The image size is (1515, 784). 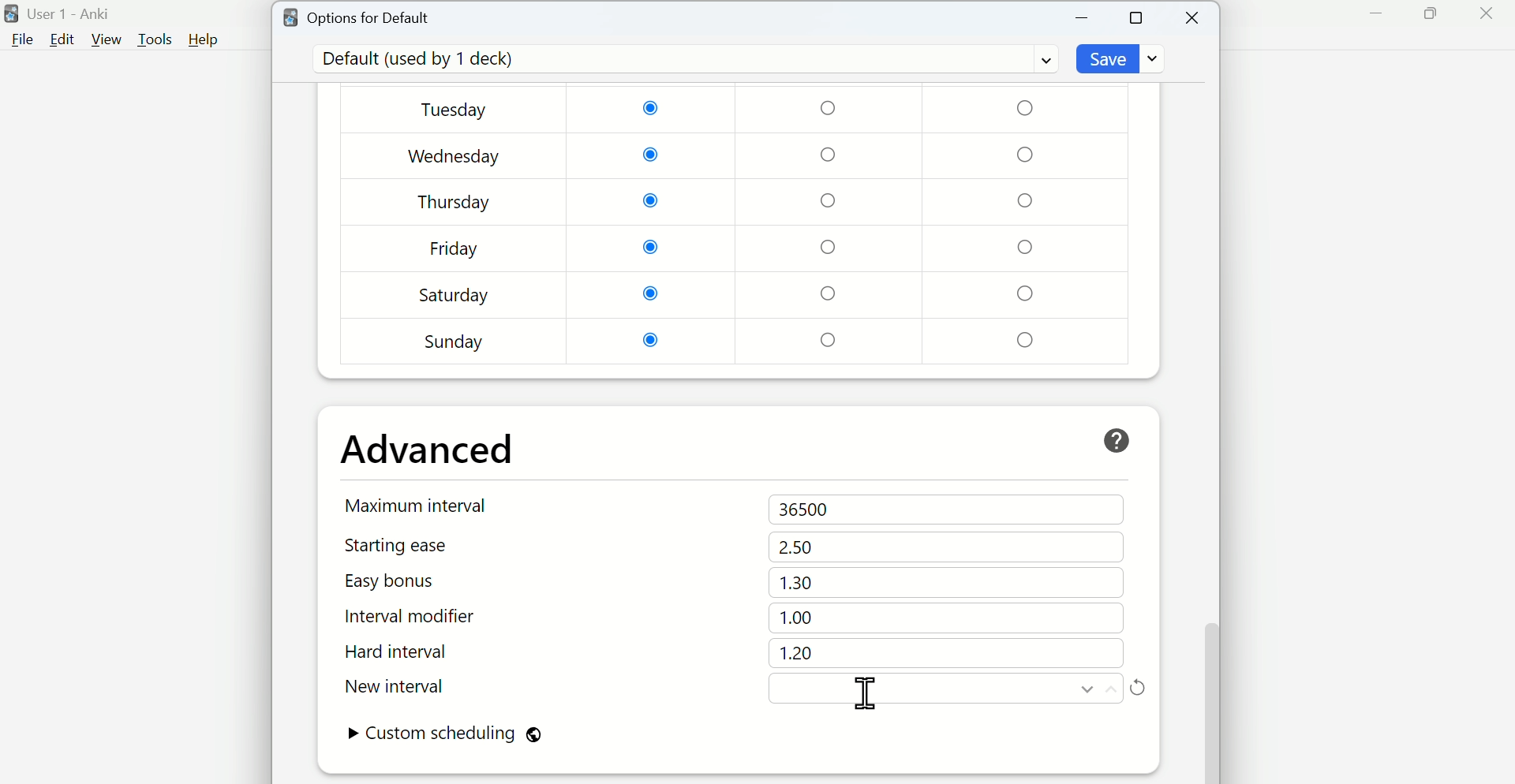 What do you see at coordinates (1083, 18) in the screenshot?
I see `Minimize` at bounding box center [1083, 18].